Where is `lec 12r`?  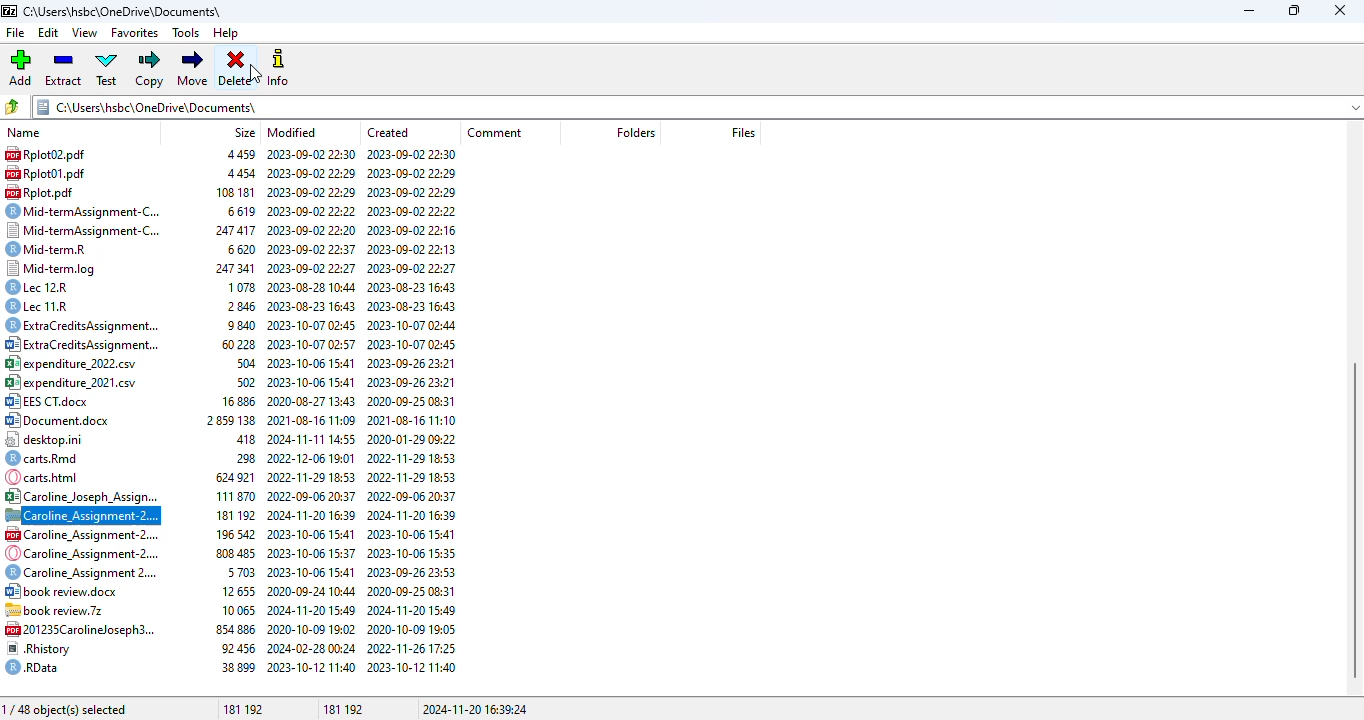
lec 12r is located at coordinates (49, 287).